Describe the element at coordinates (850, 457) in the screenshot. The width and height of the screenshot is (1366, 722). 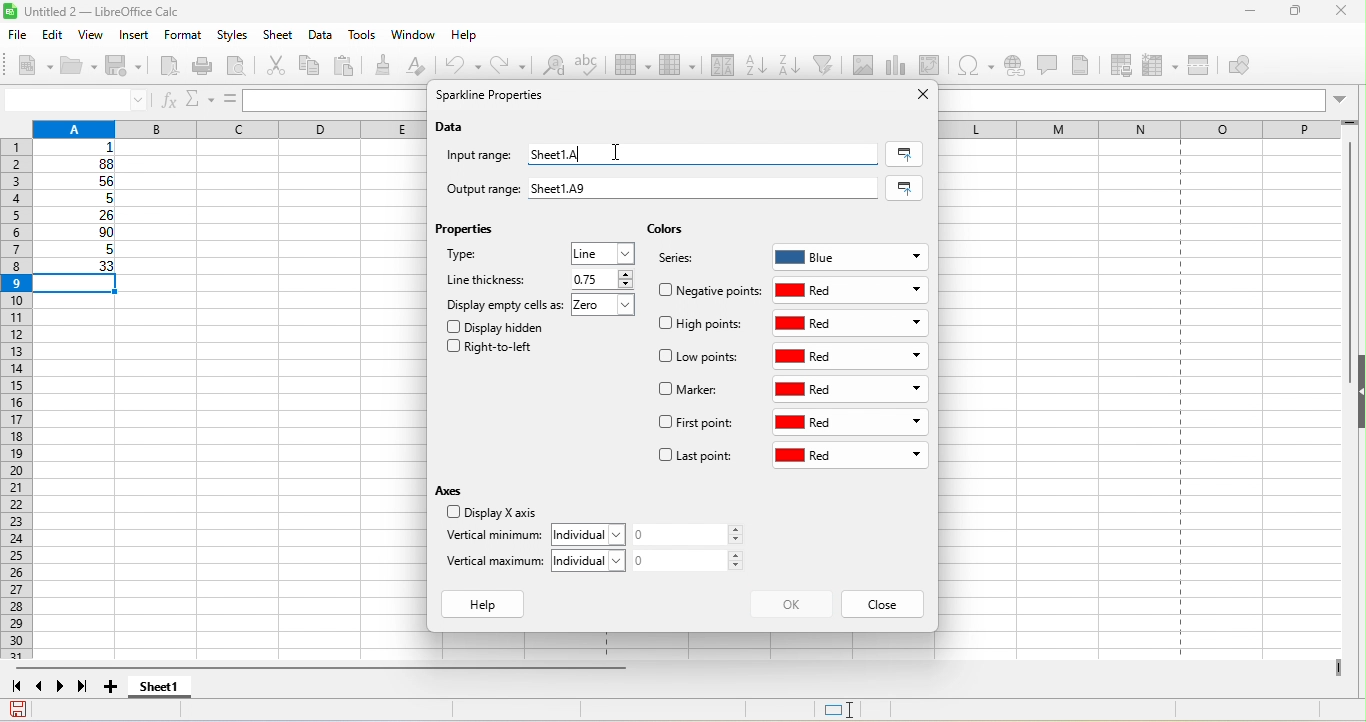
I see `red` at that location.